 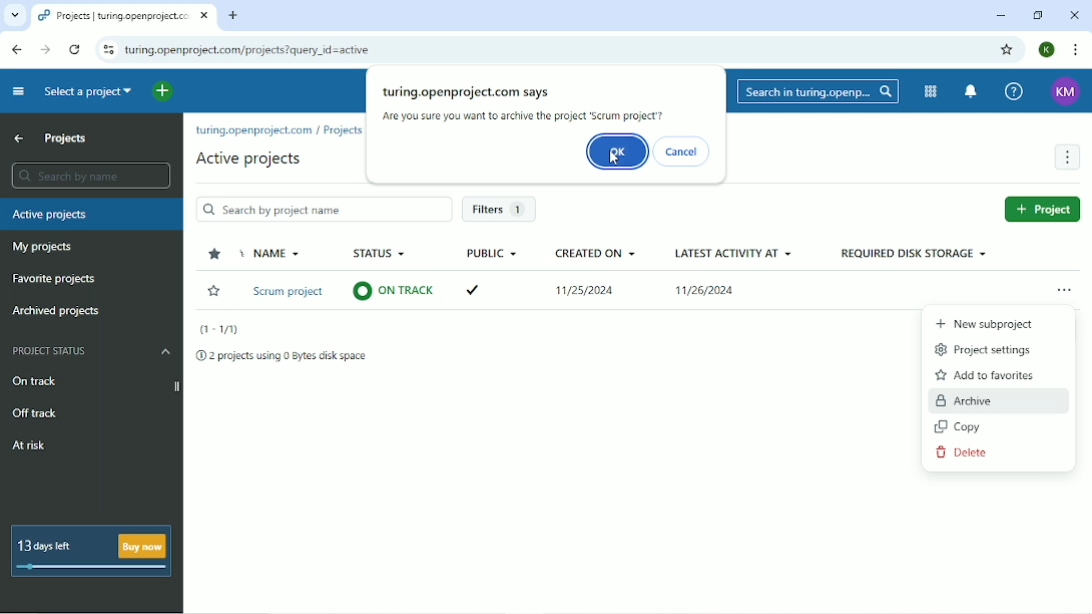 I want to click on Open quick add menu, so click(x=163, y=92).